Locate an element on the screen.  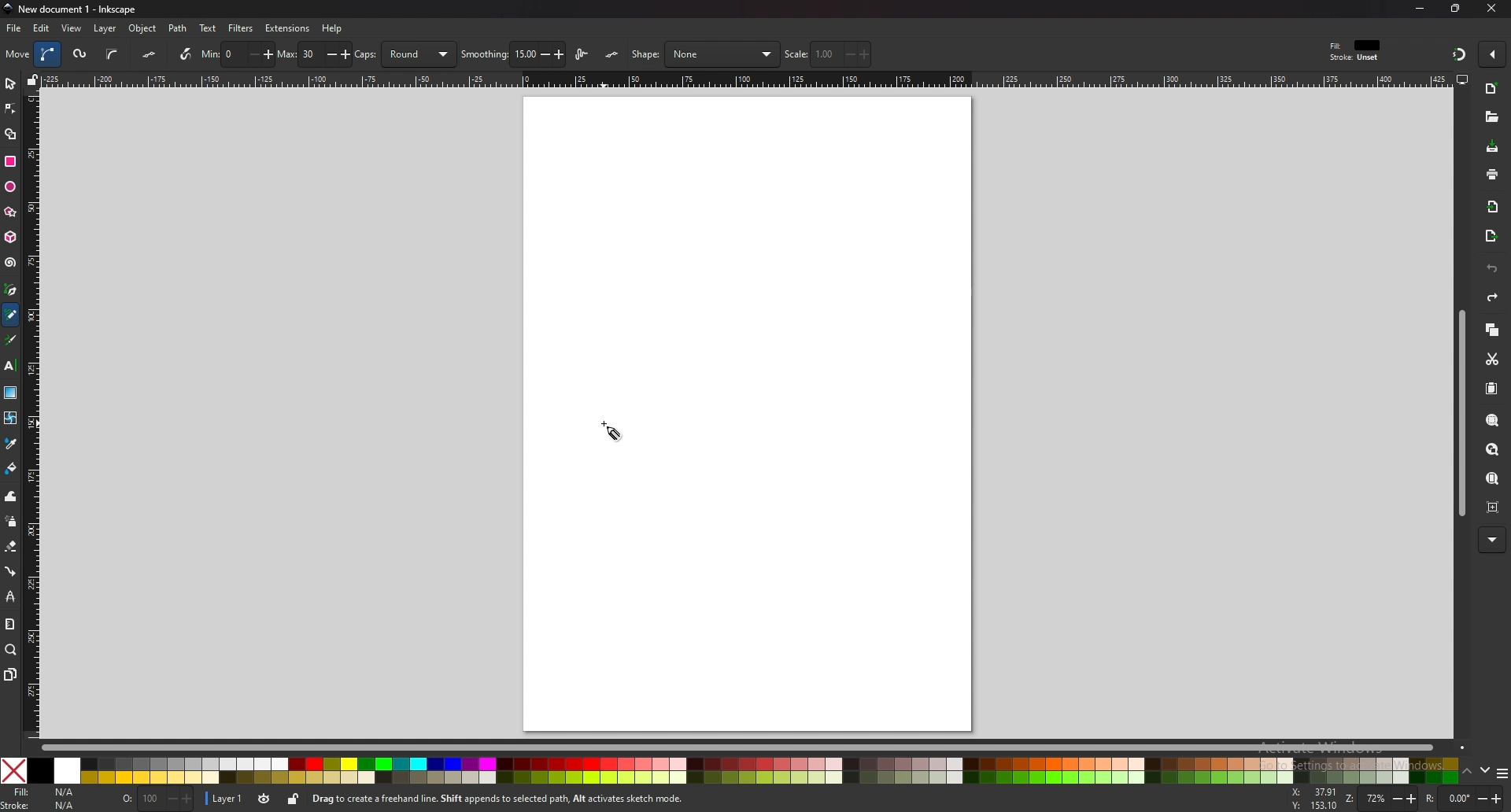
zoom selection is located at coordinates (1493, 420).